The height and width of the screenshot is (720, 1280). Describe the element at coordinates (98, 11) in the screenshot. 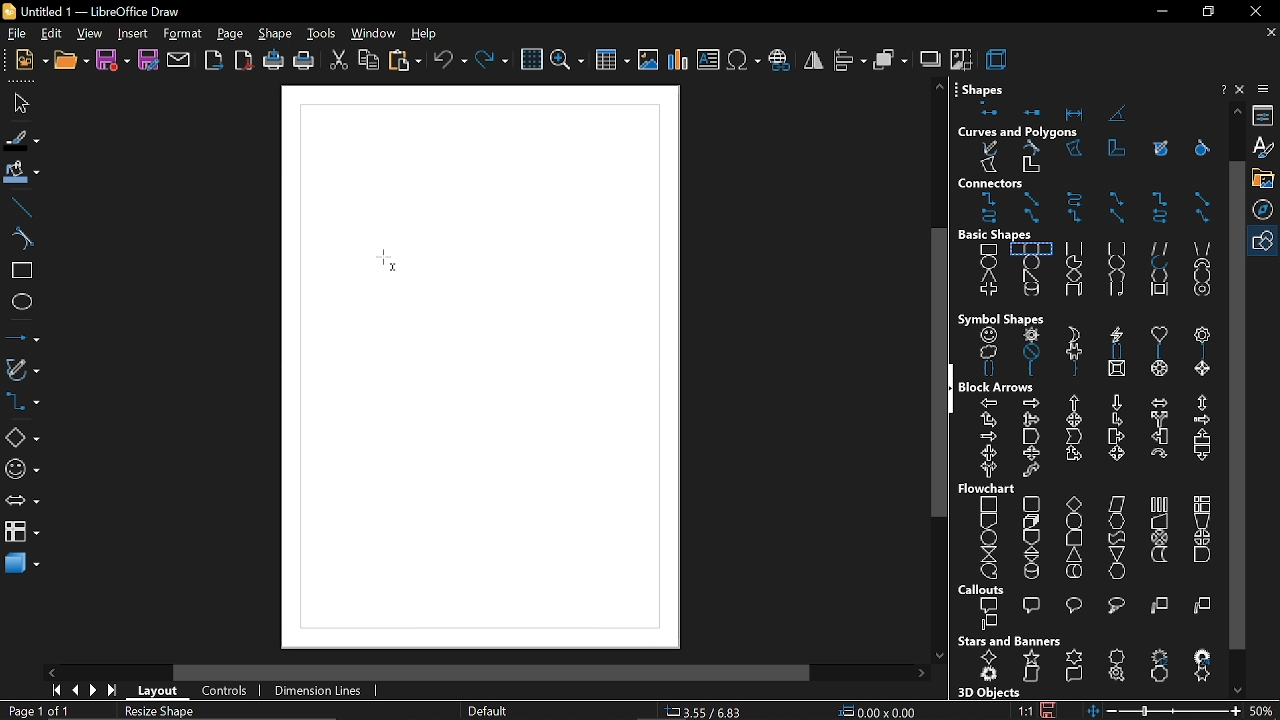

I see `current window` at that location.